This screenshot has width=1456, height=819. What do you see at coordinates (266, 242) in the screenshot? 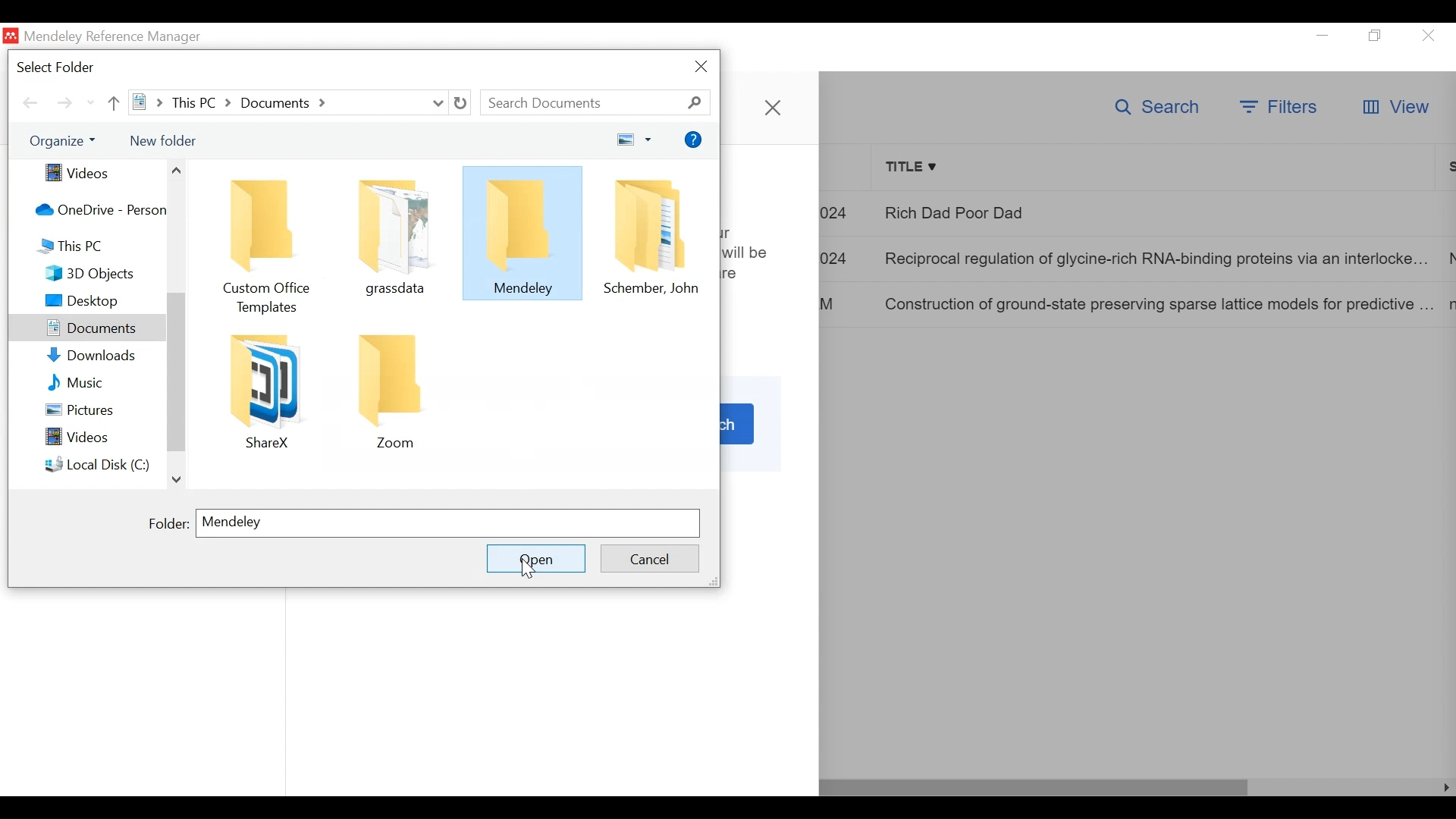
I see `Folder` at bounding box center [266, 242].